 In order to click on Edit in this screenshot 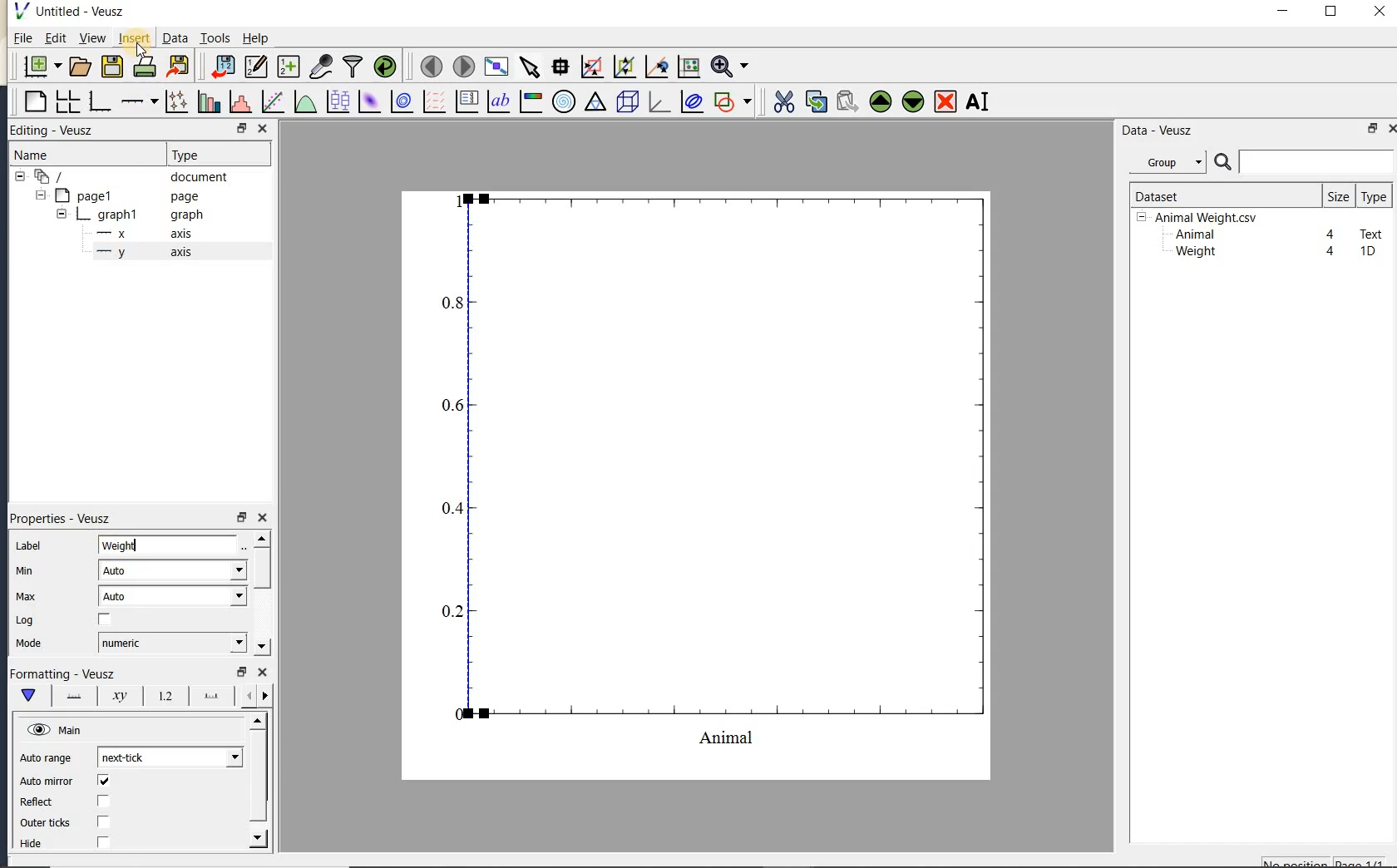, I will do `click(52, 40)`.